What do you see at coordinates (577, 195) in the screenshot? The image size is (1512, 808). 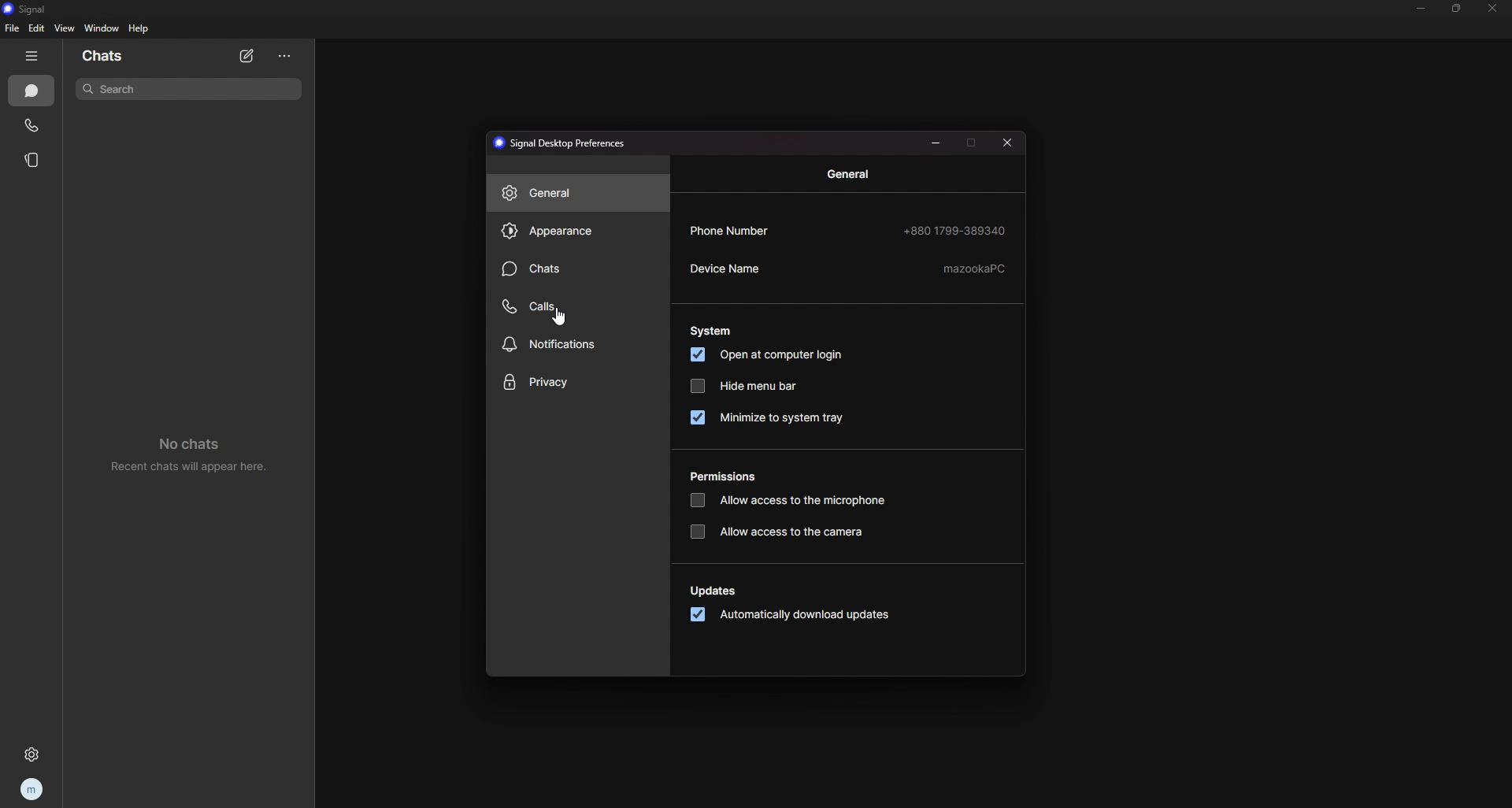 I see `general` at bounding box center [577, 195].